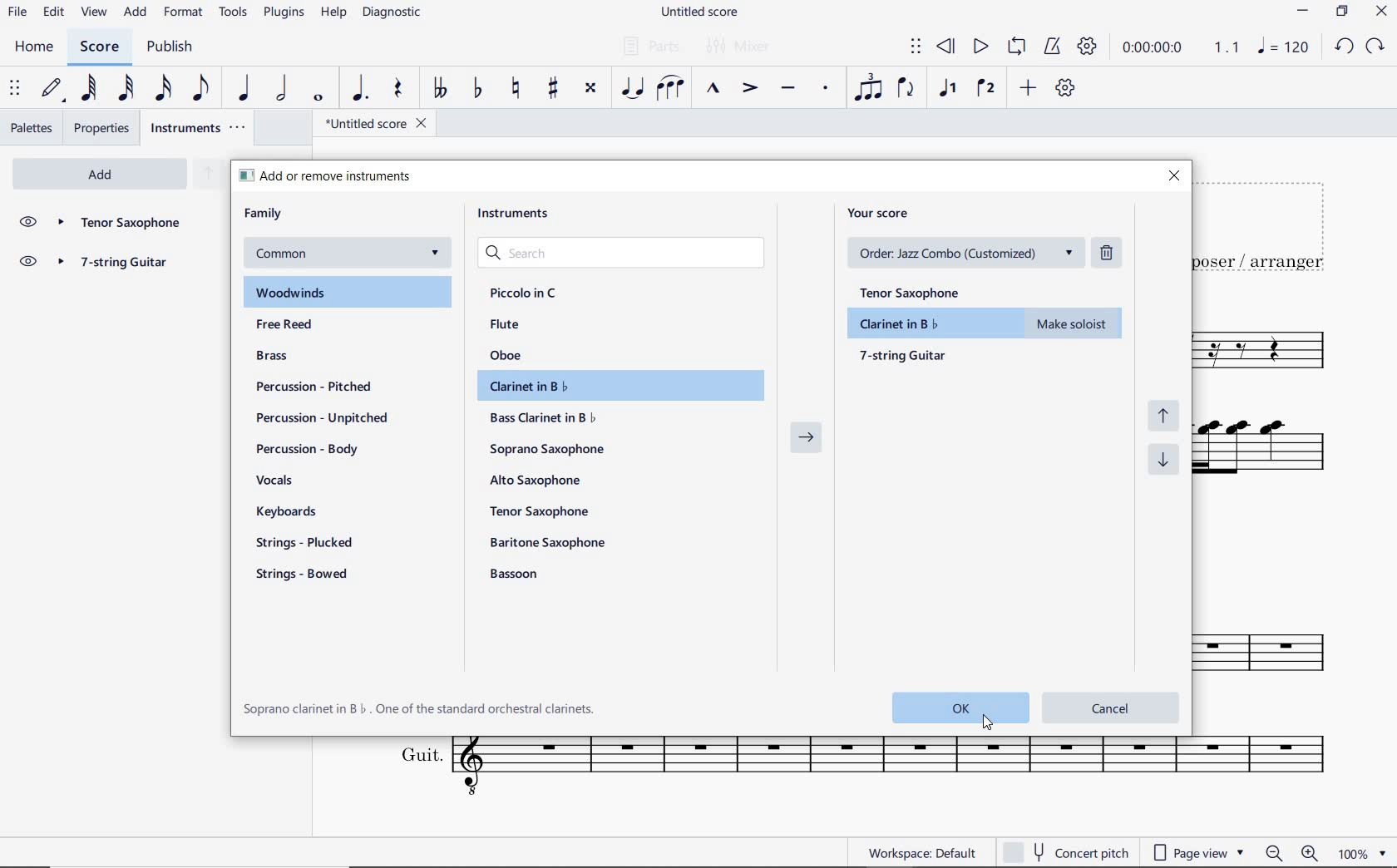  What do you see at coordinates (281, 88) in the screenshot?
I see `HALF NOTE` at bounding box center [281, 88].